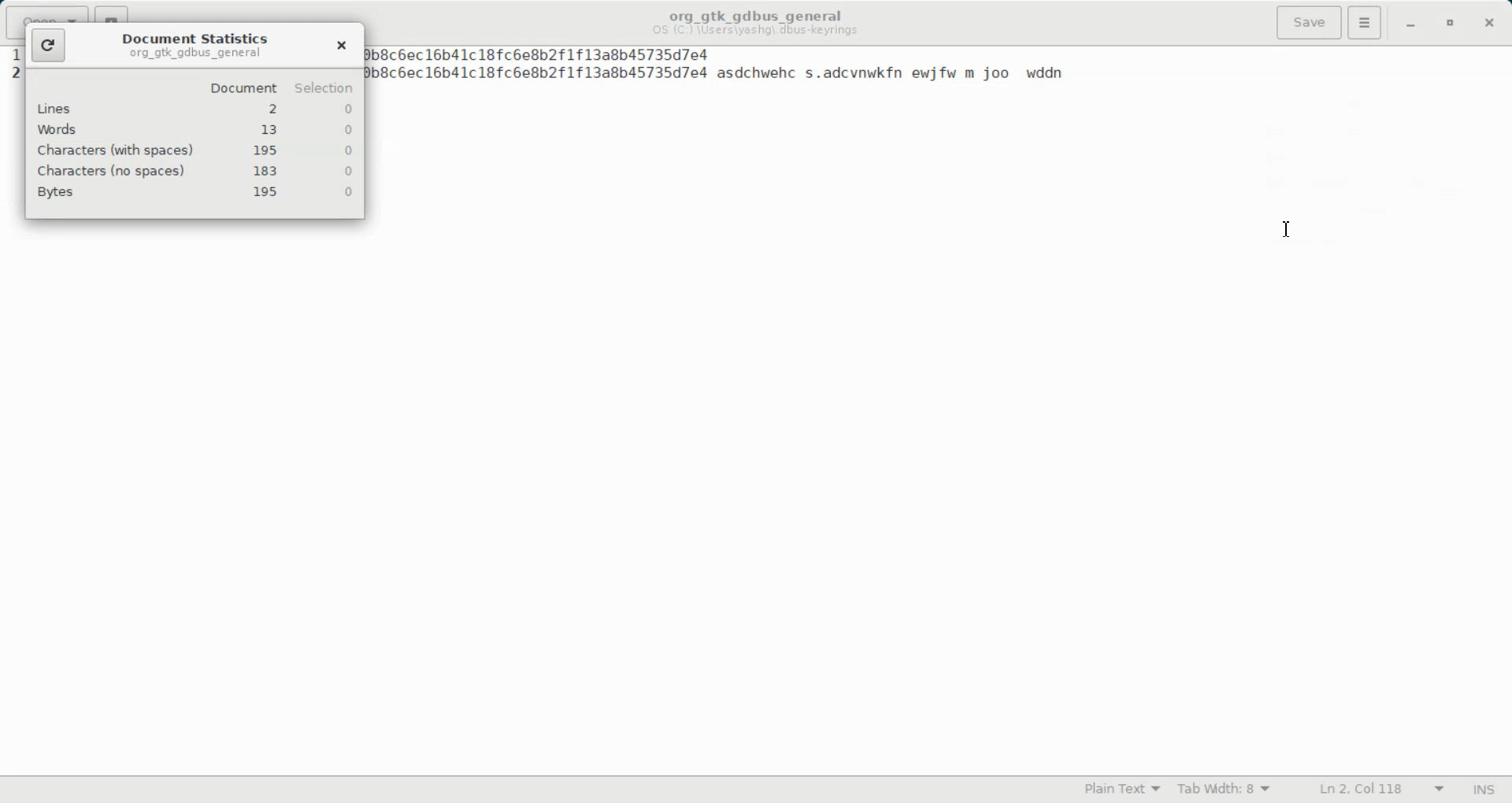 The height and width of the screenshot is (803, 1512). Describe the element at coordinates (265, 150) in the screenshot. I see `195` at that location.